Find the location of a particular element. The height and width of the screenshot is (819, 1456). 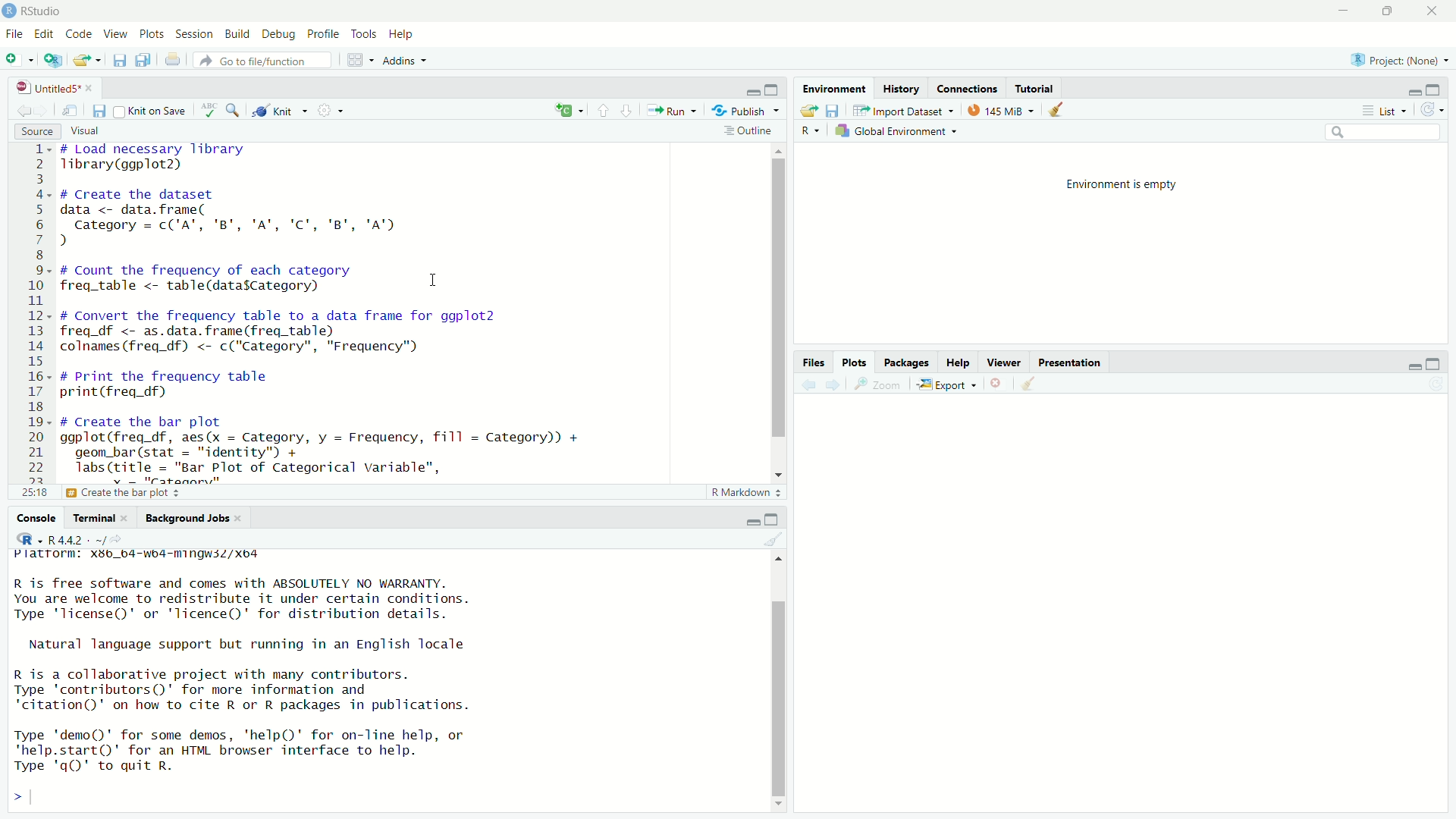

save all is located at coordinates (146, 60).